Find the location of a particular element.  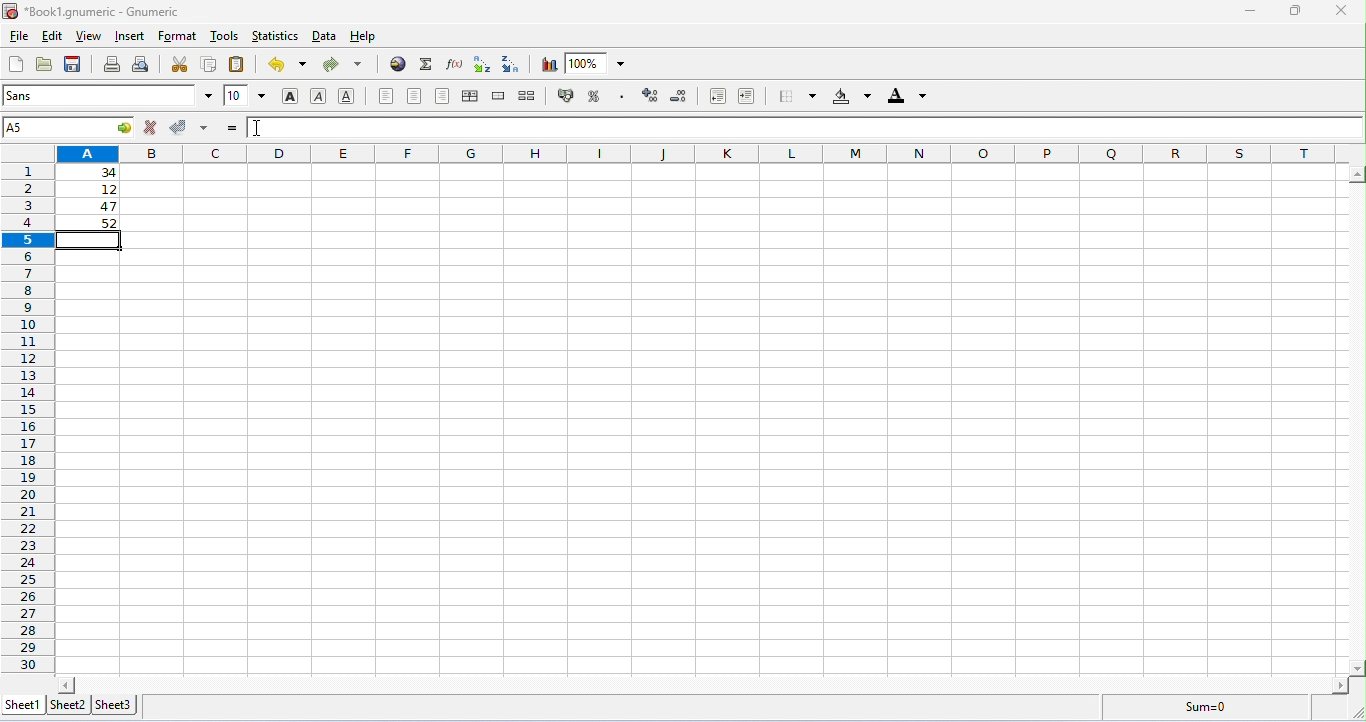

redo is located at coordinates (342, 65).